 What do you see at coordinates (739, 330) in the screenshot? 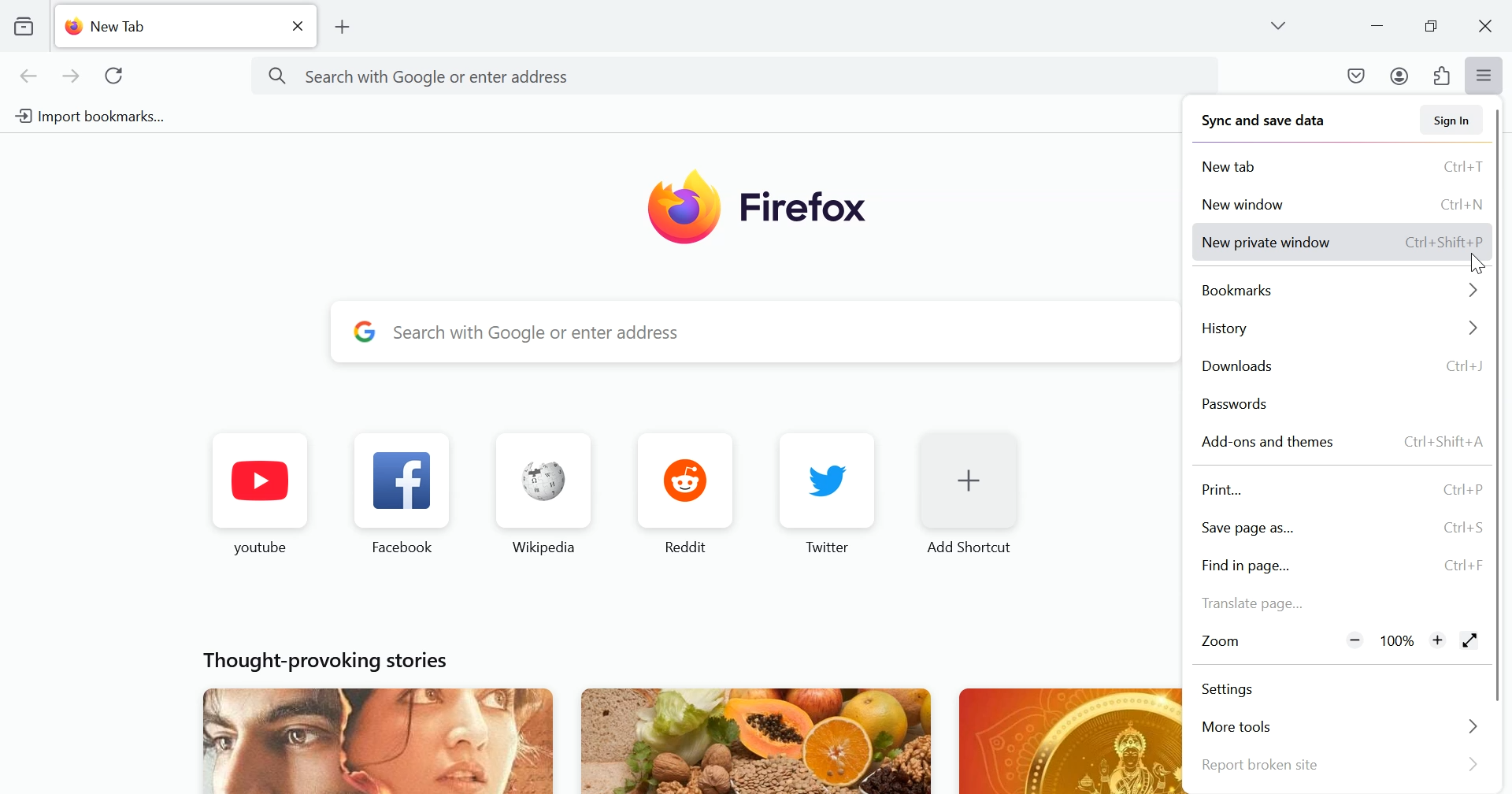
I see `Search with Google or enter address` at bounding box center [739, 330].